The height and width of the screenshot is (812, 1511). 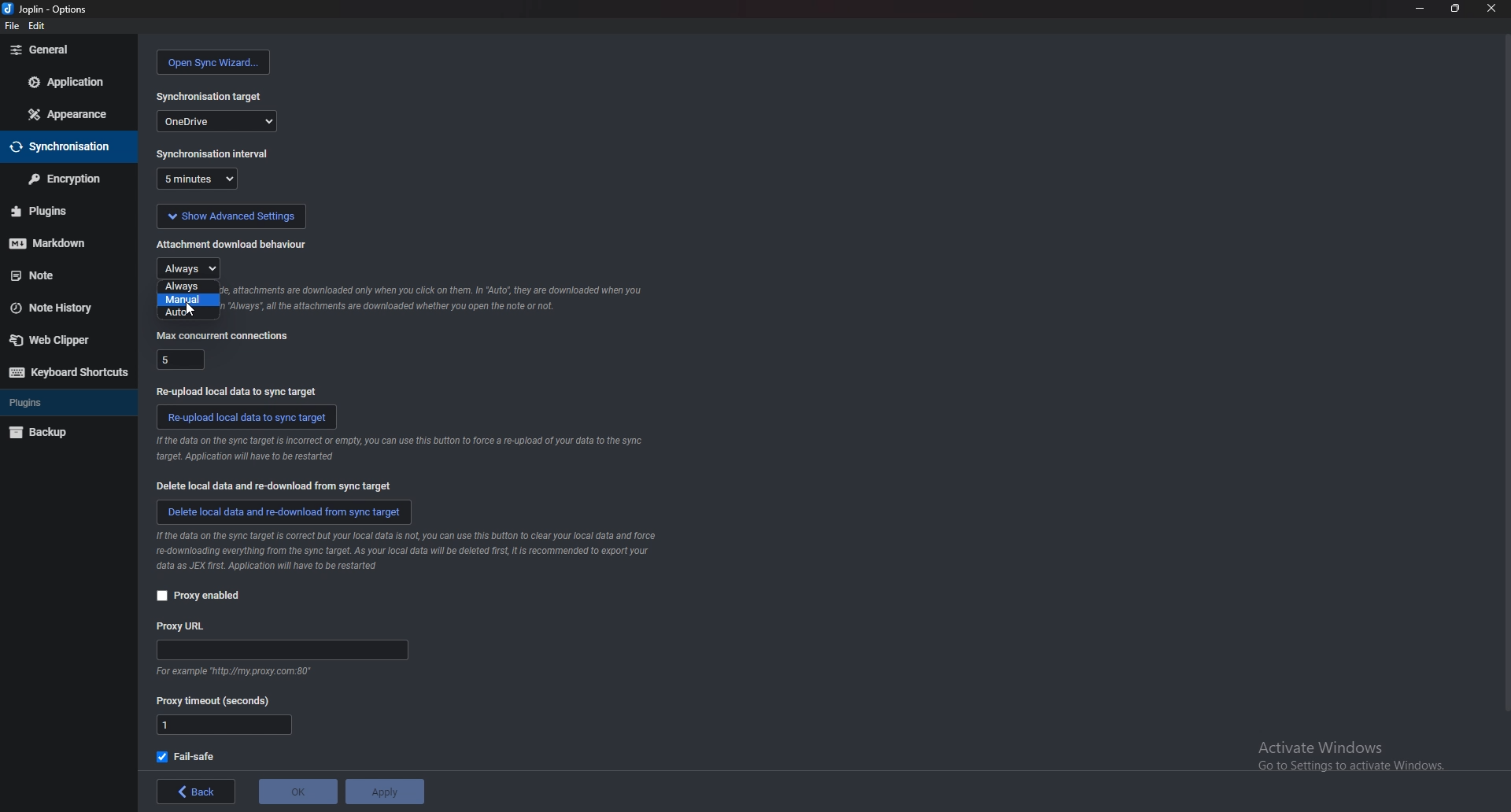 What do you see at coordinates (36, 26) in the screenshot?
I see `edit` at bounding box center [36, 26].